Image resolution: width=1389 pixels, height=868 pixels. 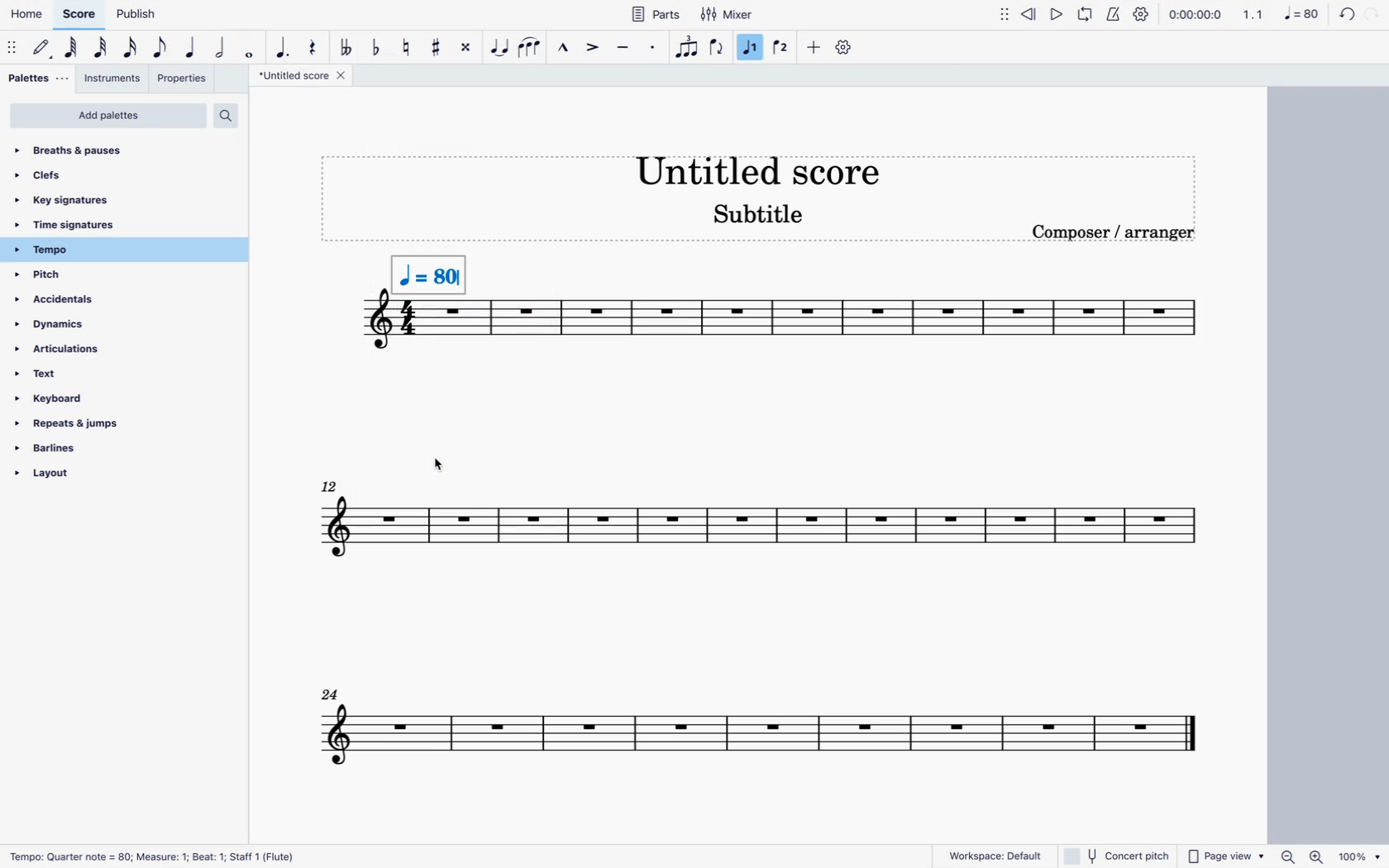 What do you see at coordinates (93, 451) in the screenshot?
I see `barlines` at bounding box center [93, 451].